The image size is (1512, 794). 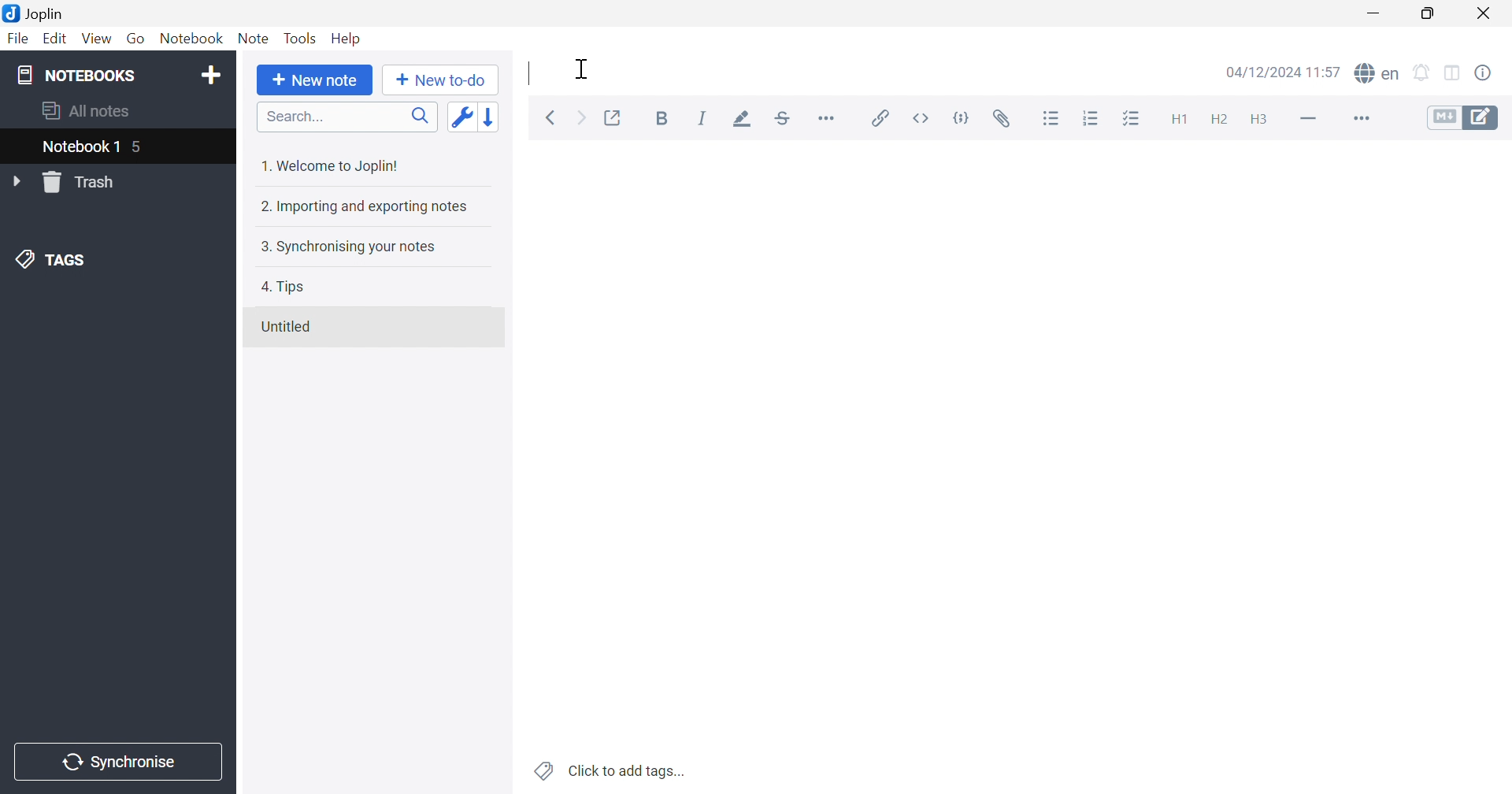 I want to click on Trash, so click(x=84, y=183).